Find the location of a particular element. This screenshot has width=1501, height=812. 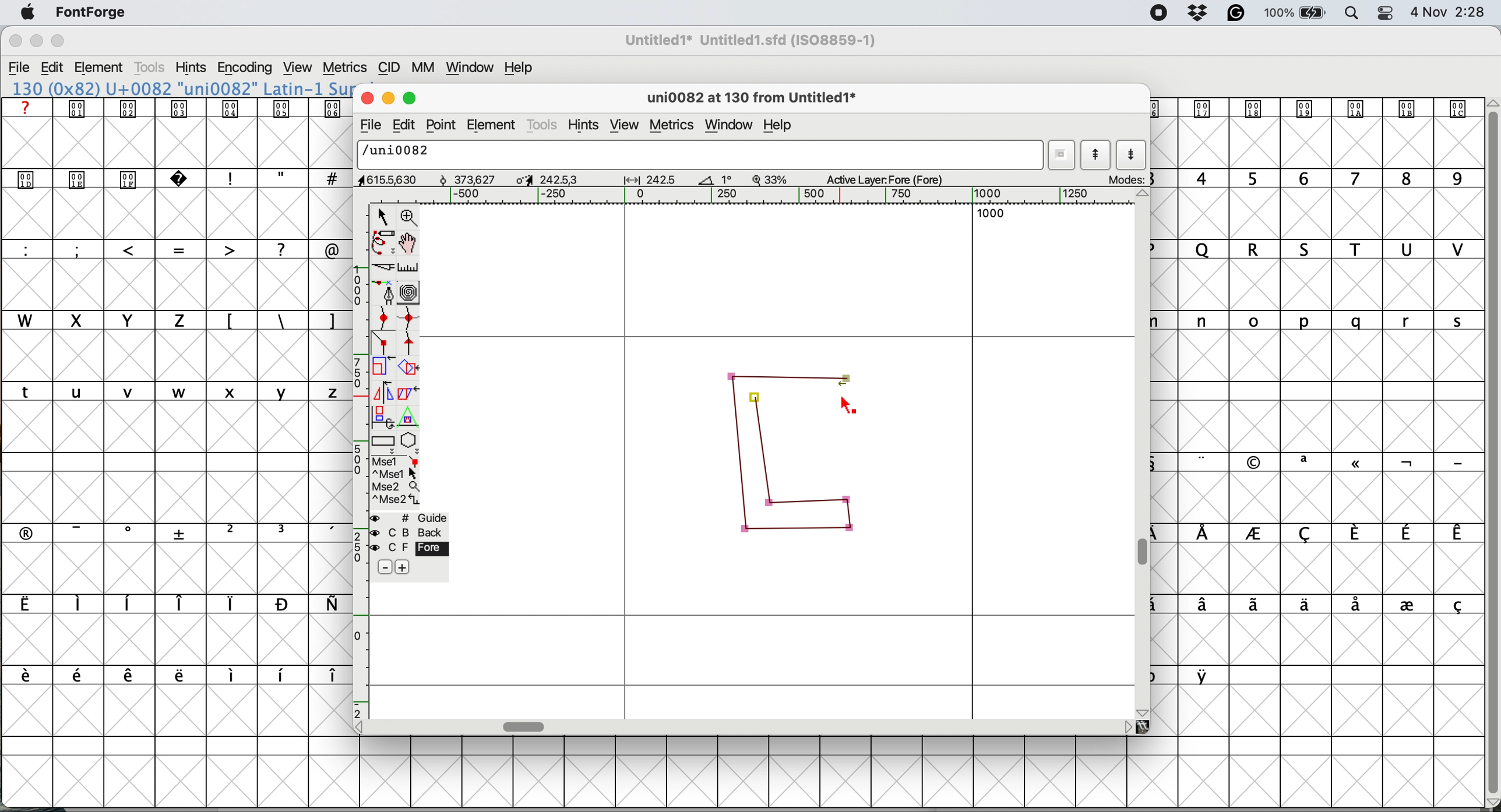

active layer is located at coordinates (896, 178).